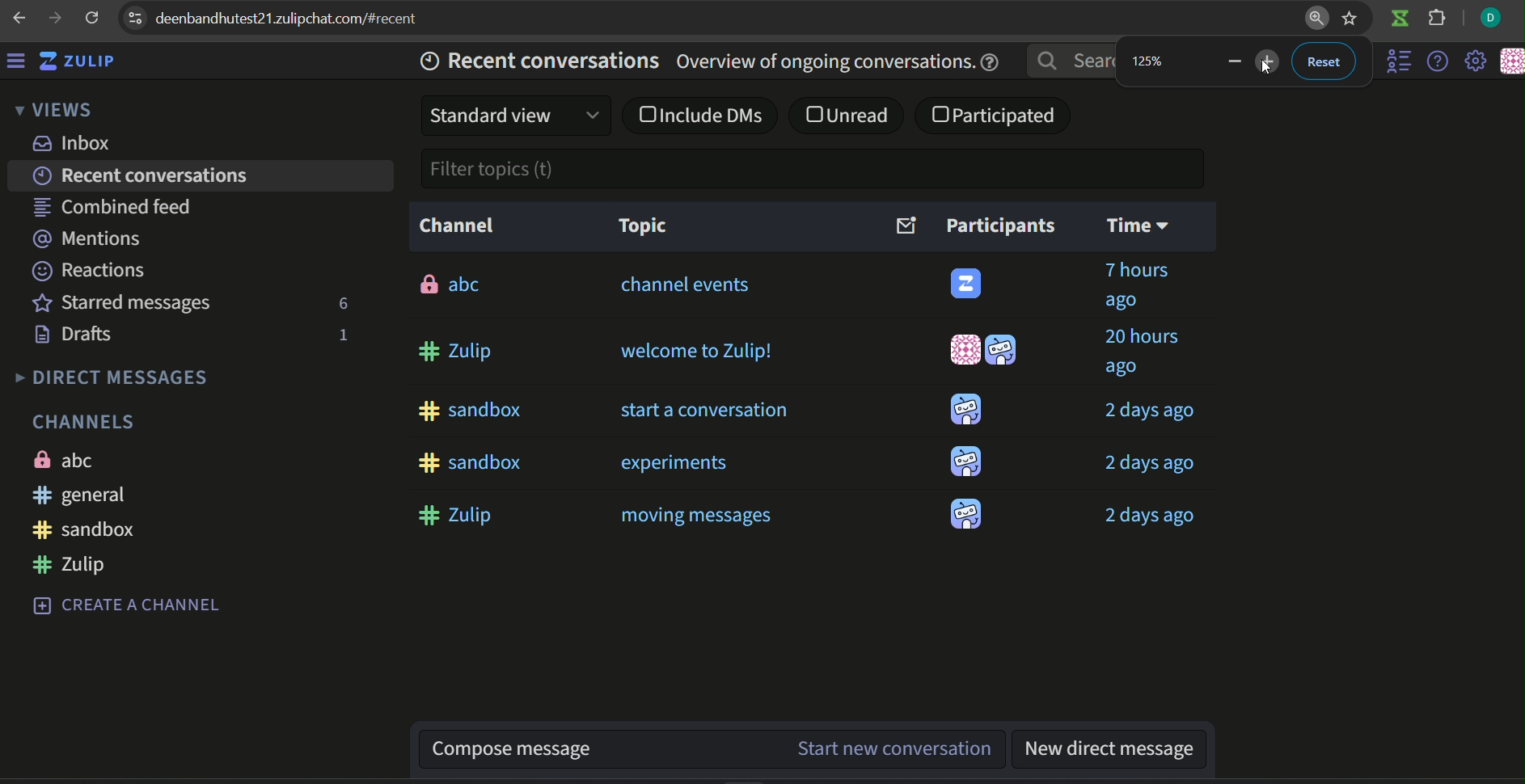 This screenshot has width=1525, height=784. What do you see at coordinates (490, 168) in the screenshot?
I see `filter topics` at bounding box center [490, 168].